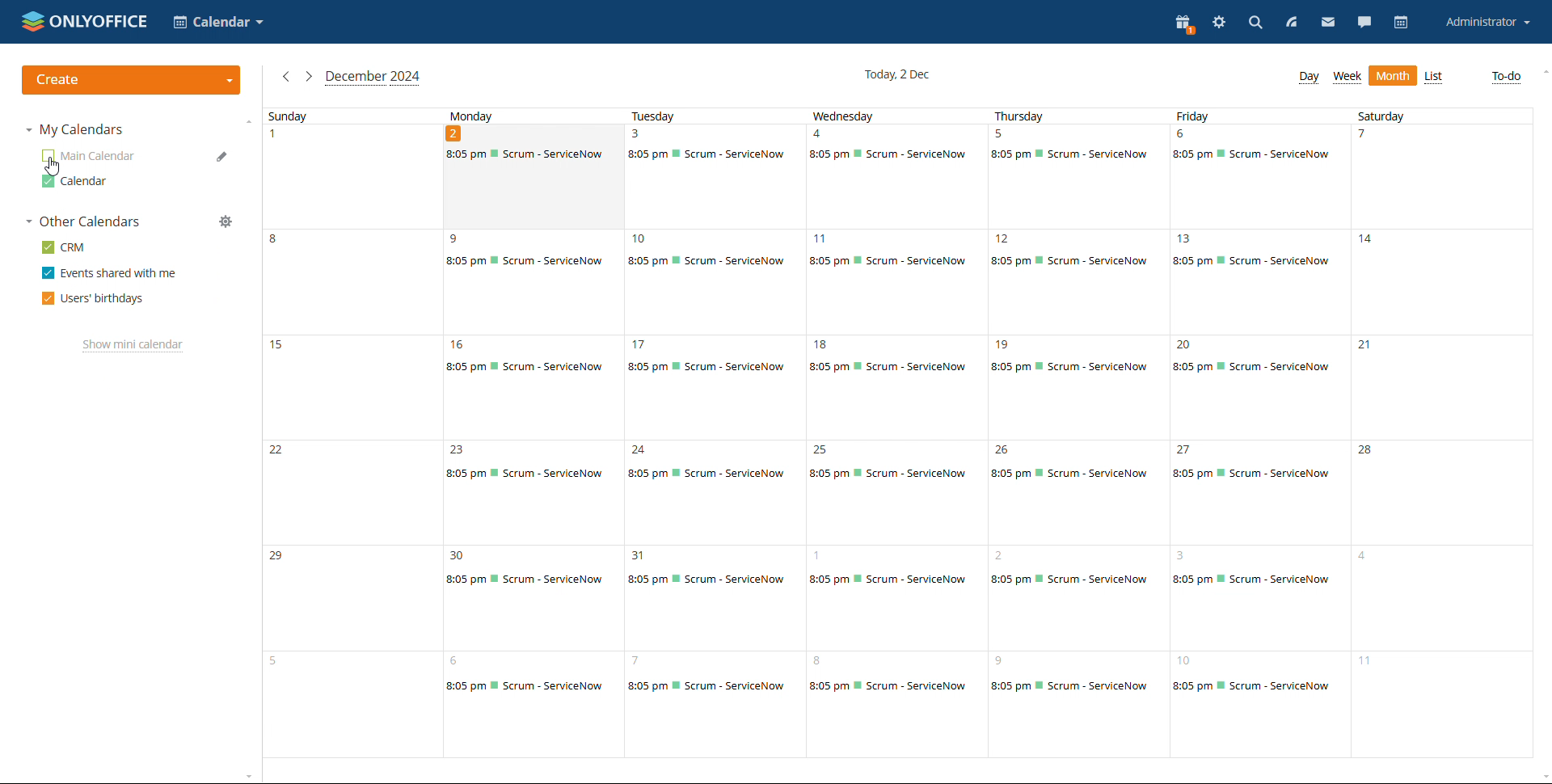 This screenshot has height=784, width=1552. Describe the element at coordinates (1290, 24) in the screenshot. I see `feed` at that location.